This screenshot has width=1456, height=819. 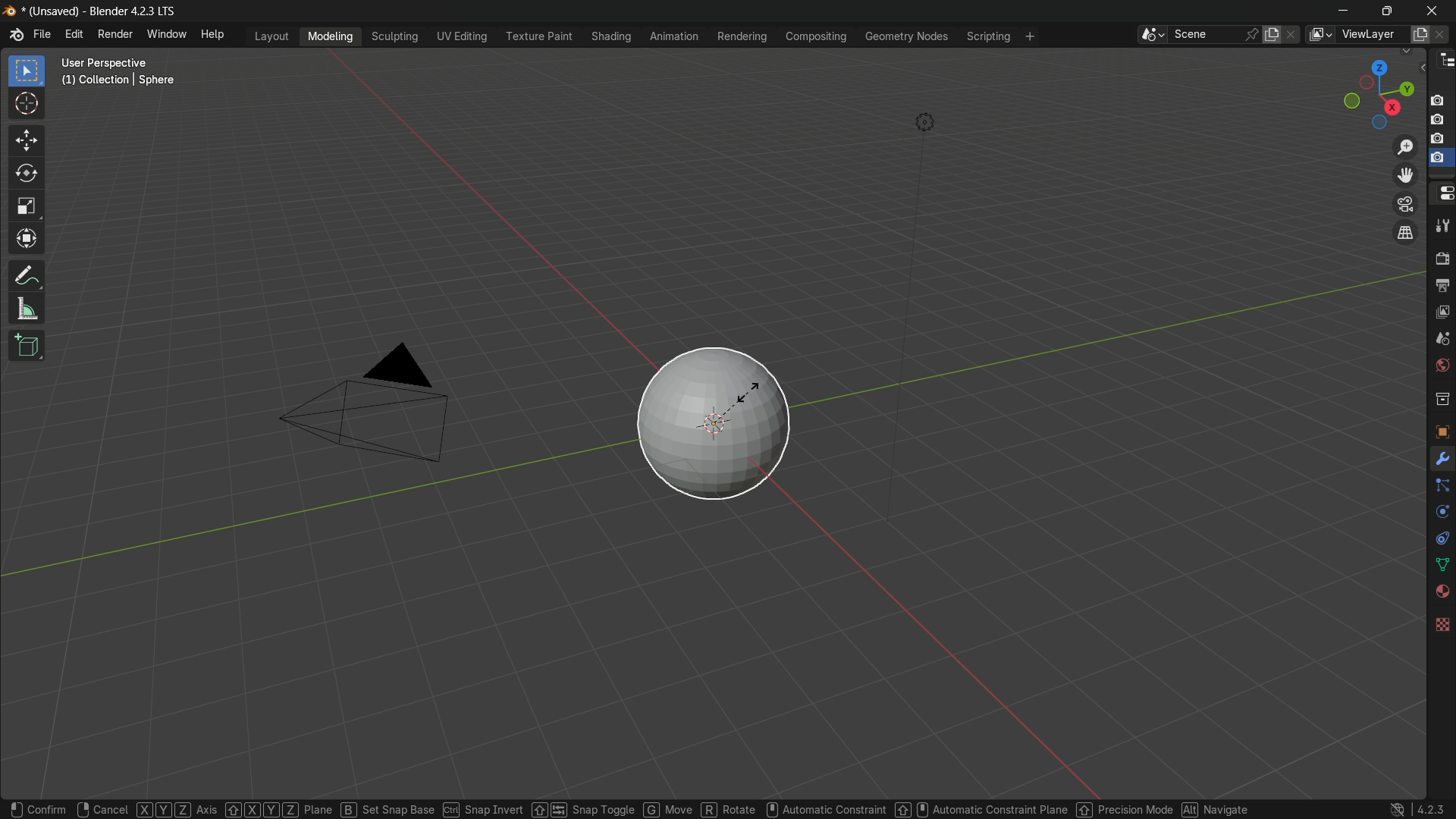 I want to click on maximize or restore, so click(x=1386, y=11).